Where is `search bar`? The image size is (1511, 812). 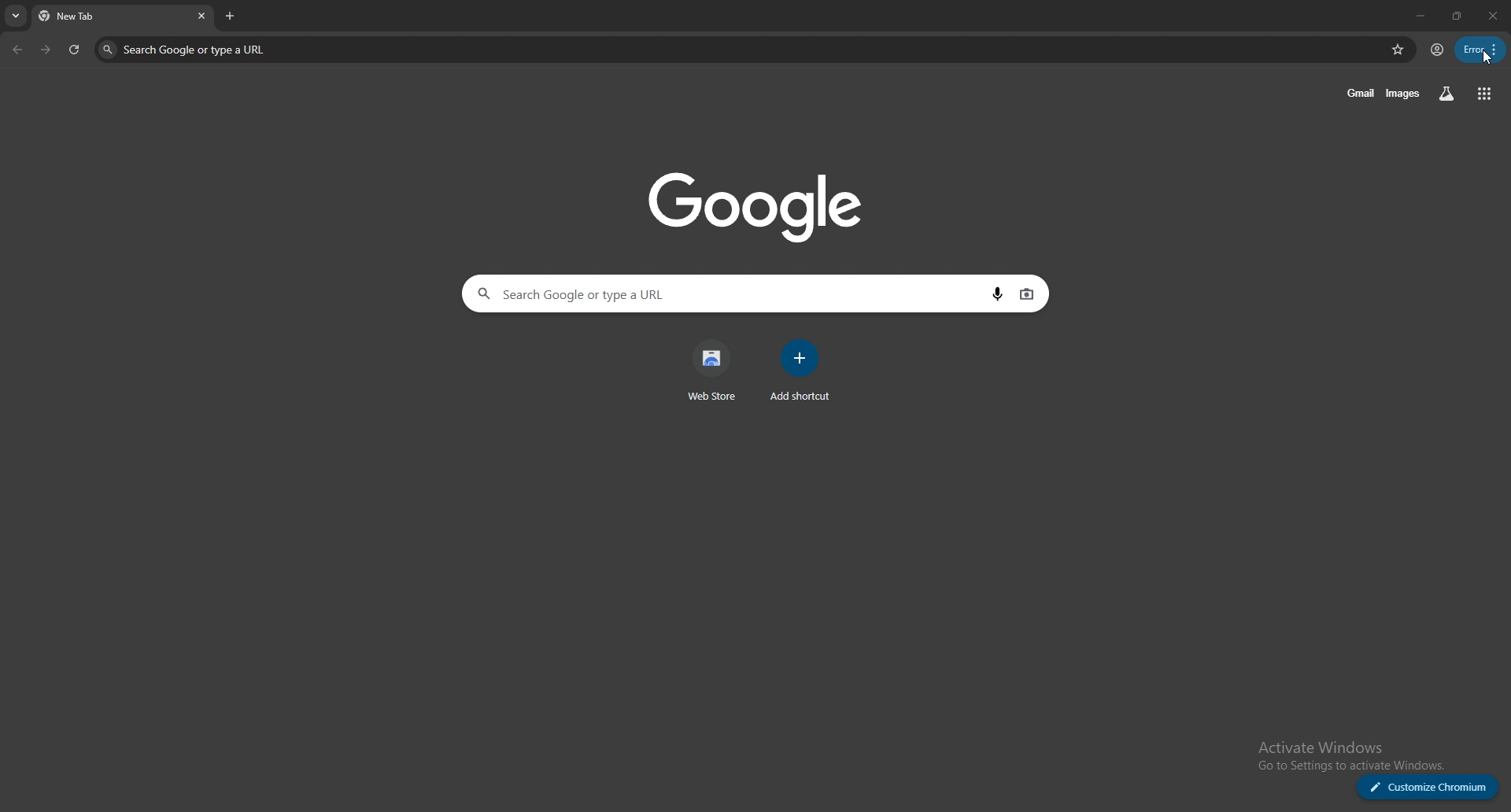
search bar is located at coordinates (737, 51).